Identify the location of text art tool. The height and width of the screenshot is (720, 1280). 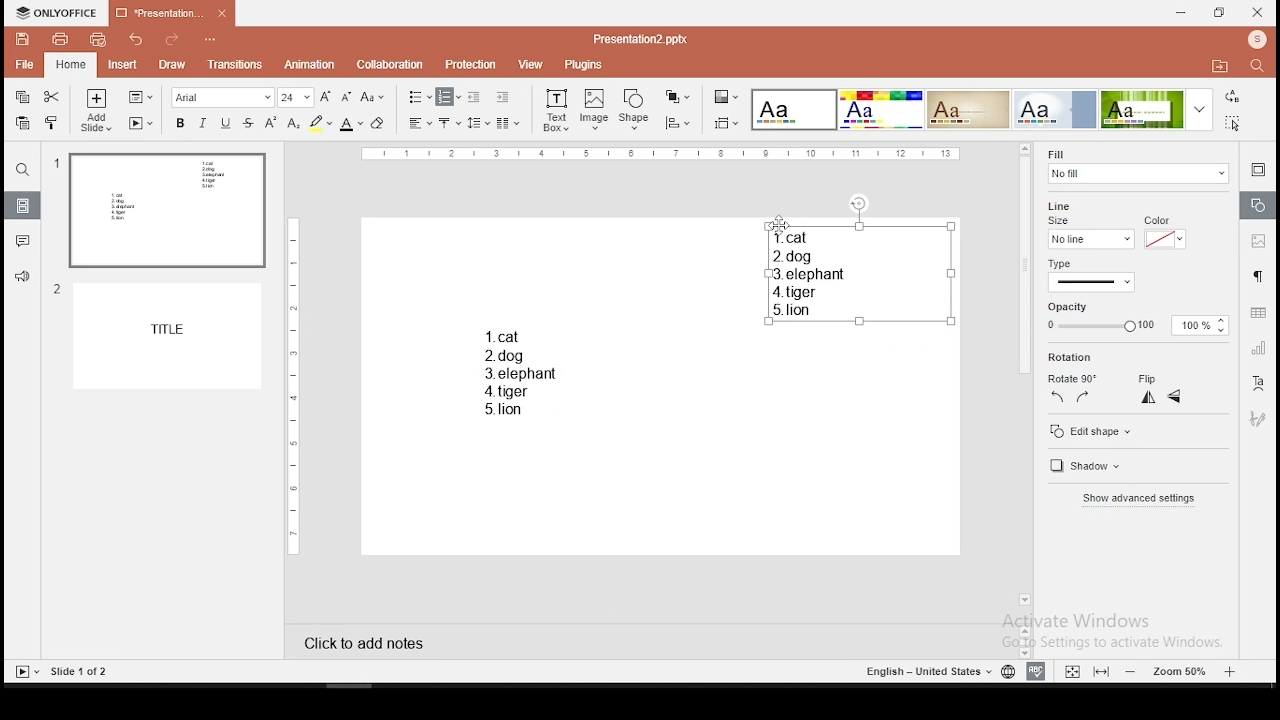
(1260, 386).